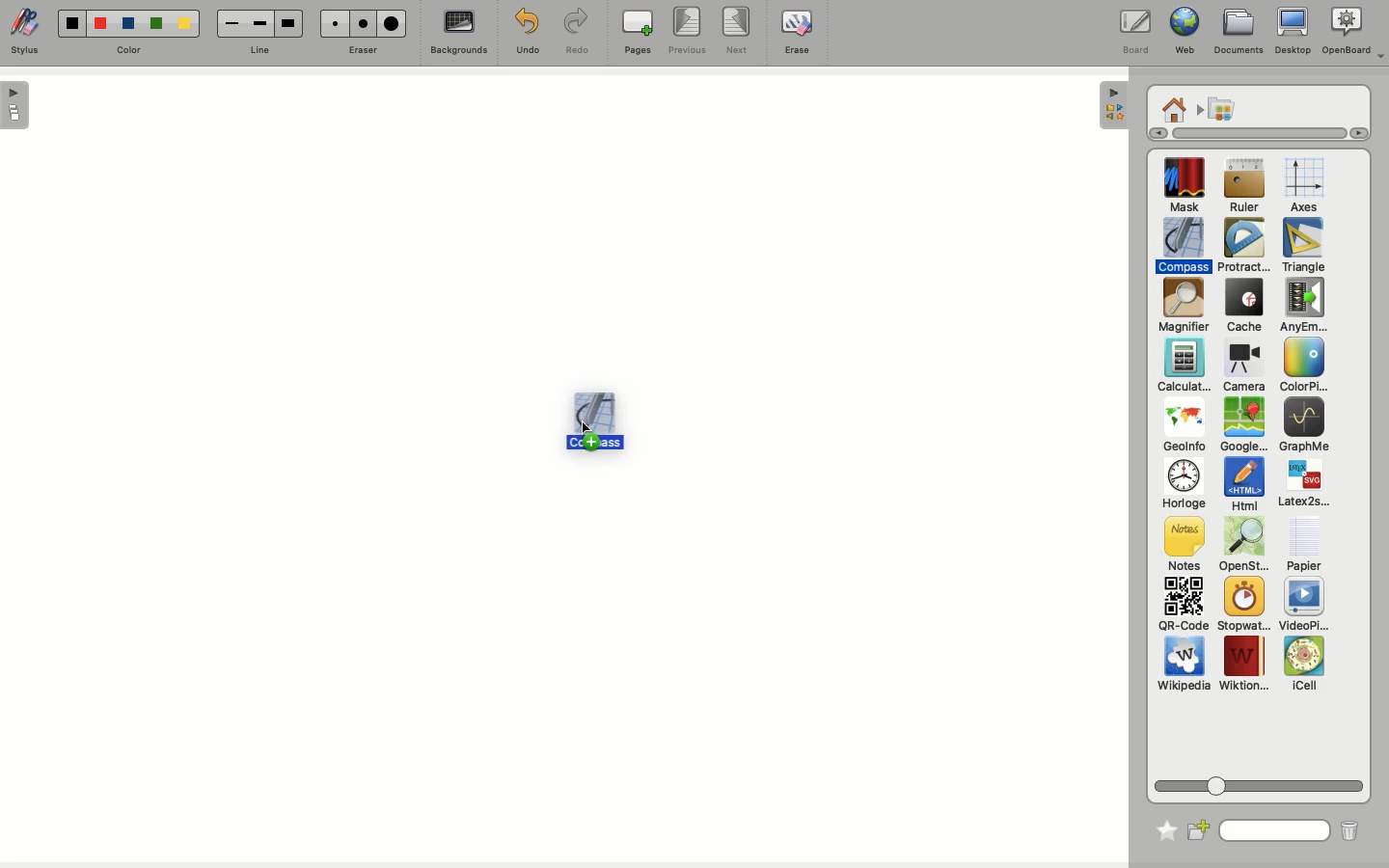 Image resolution: width=1389 pixels, height=868 pixels. Describe the element at coordinates (1184, 430) in the screenshot. I see `GeoInfo` at that location.